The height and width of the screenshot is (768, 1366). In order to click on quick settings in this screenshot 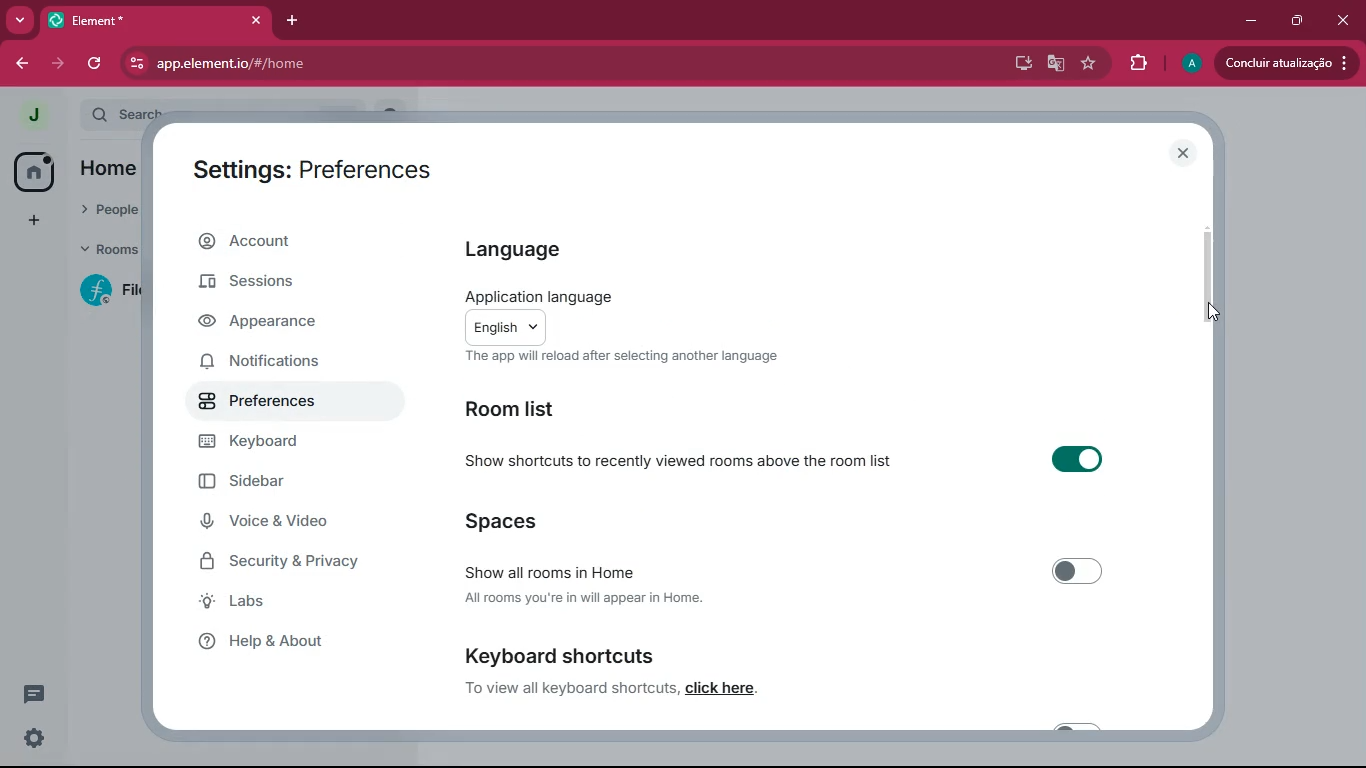, I will do `click(32, 735)`.